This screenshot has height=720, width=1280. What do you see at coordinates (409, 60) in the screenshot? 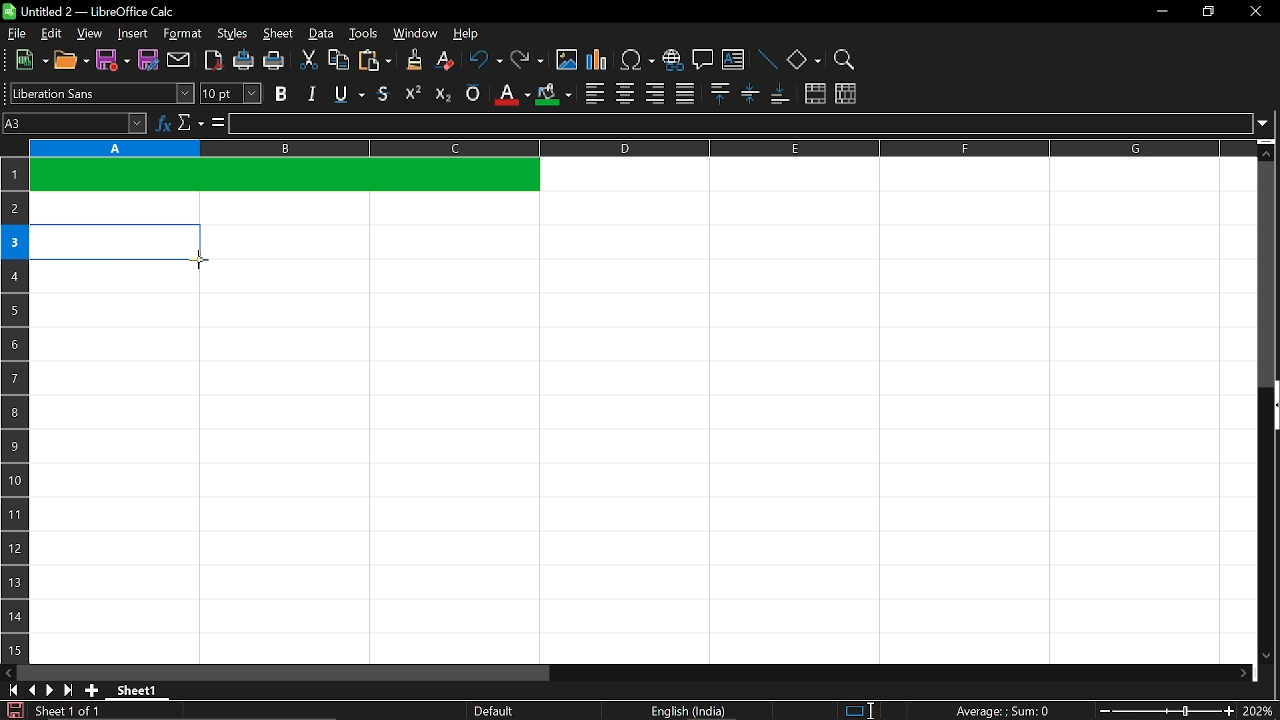
I see `clone formatting` at bounding box center [409, 60].